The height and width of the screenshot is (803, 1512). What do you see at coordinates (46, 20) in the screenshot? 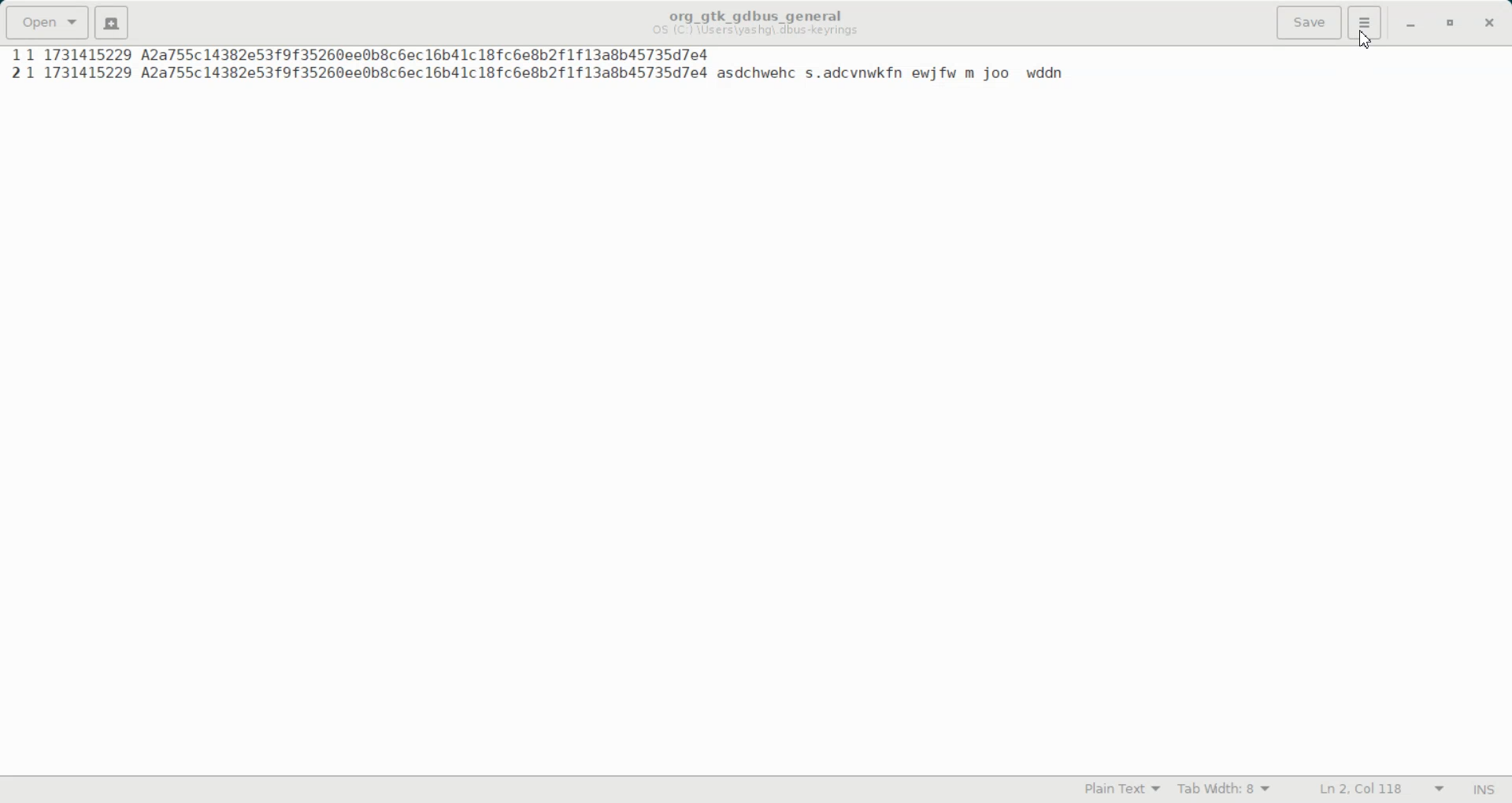
I see `Open` at bounding box center [46, 20].